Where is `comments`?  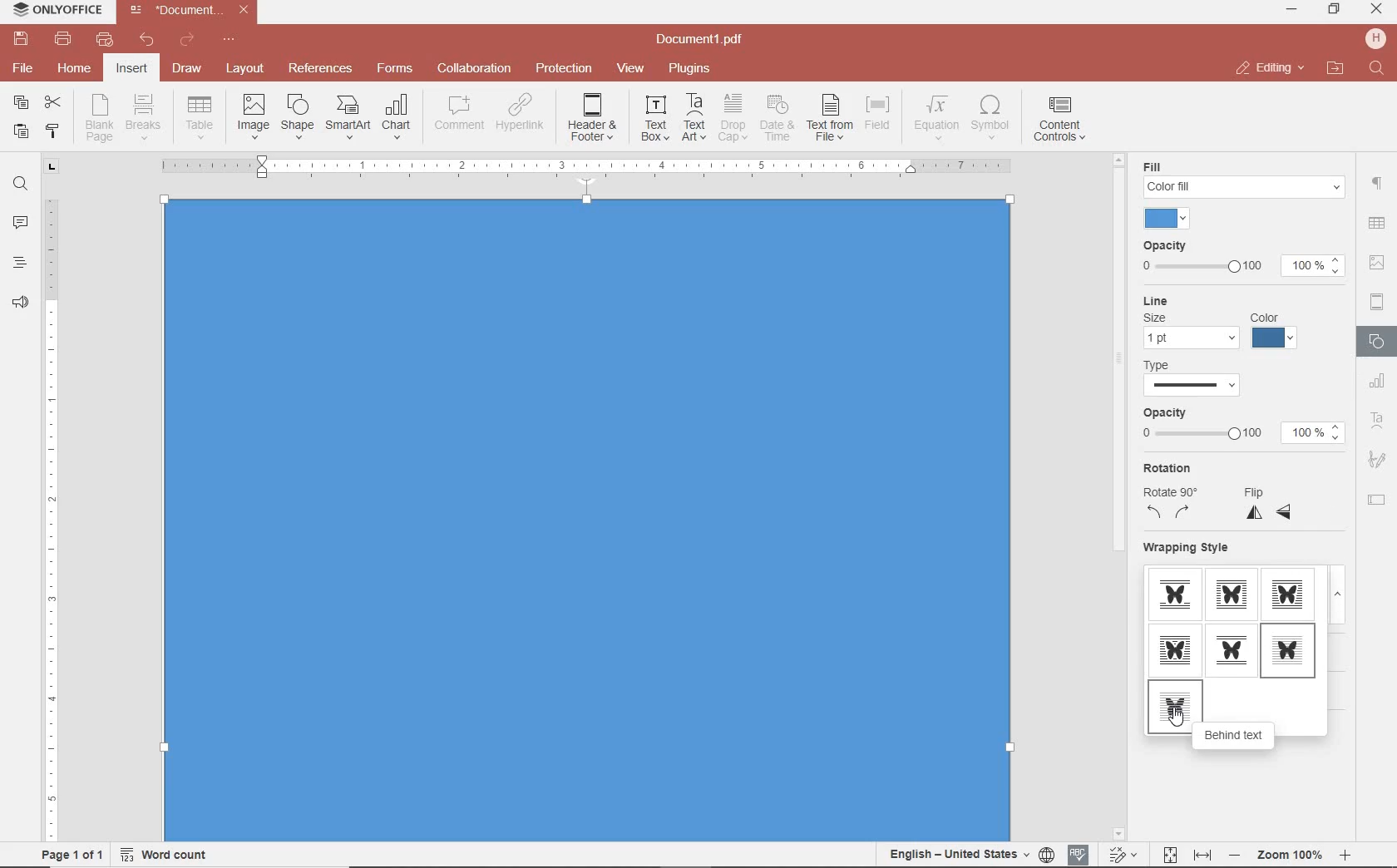
comments is located at coordinates (20, 224).